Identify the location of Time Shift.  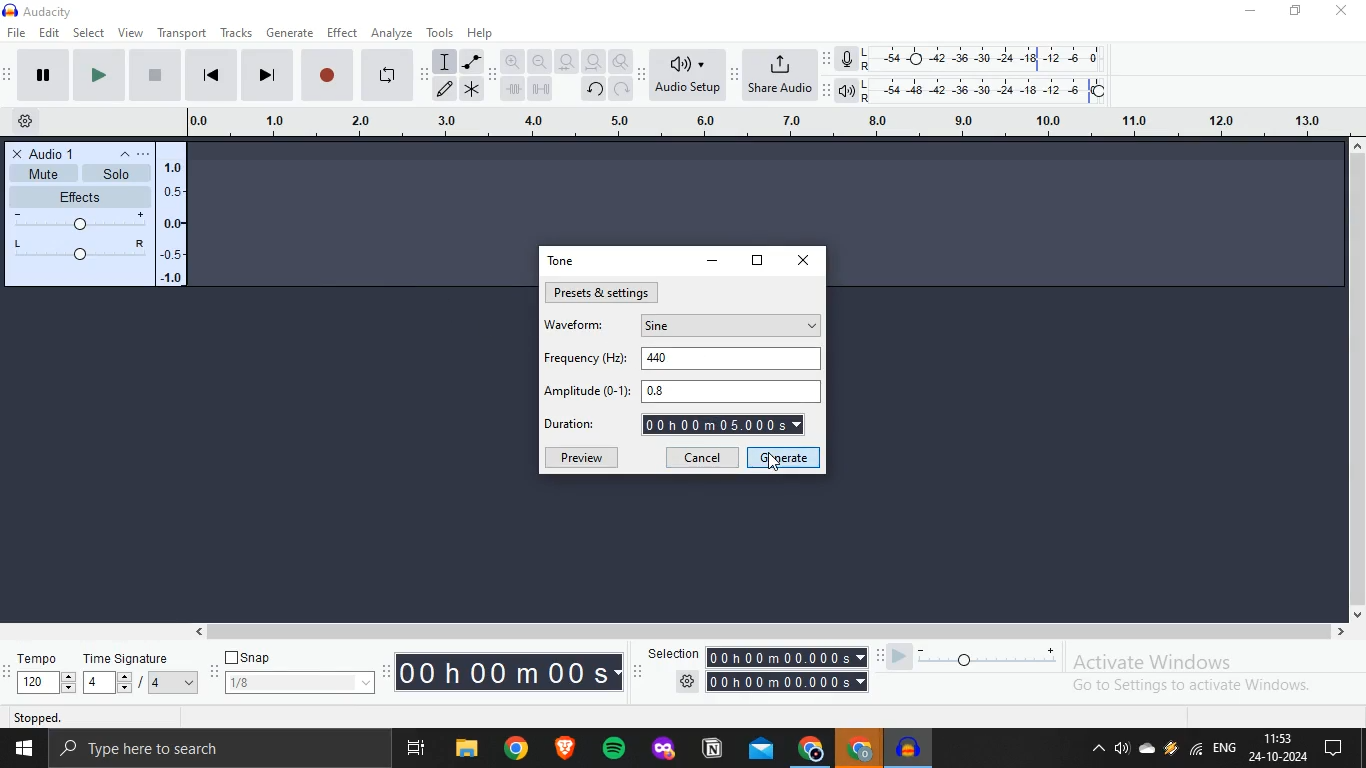
(513, 89).